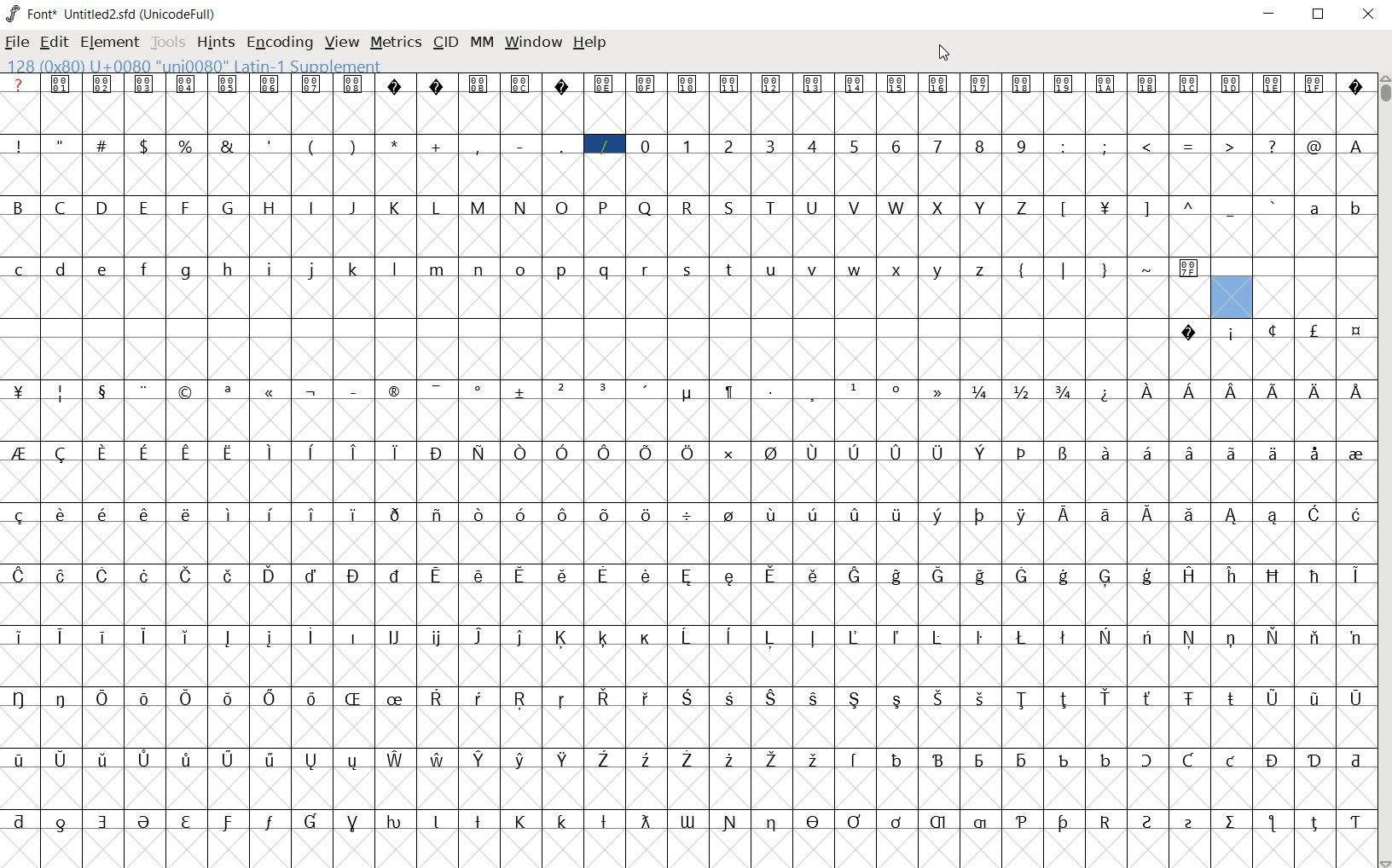  I want to click on glyph, so click(394, 85).